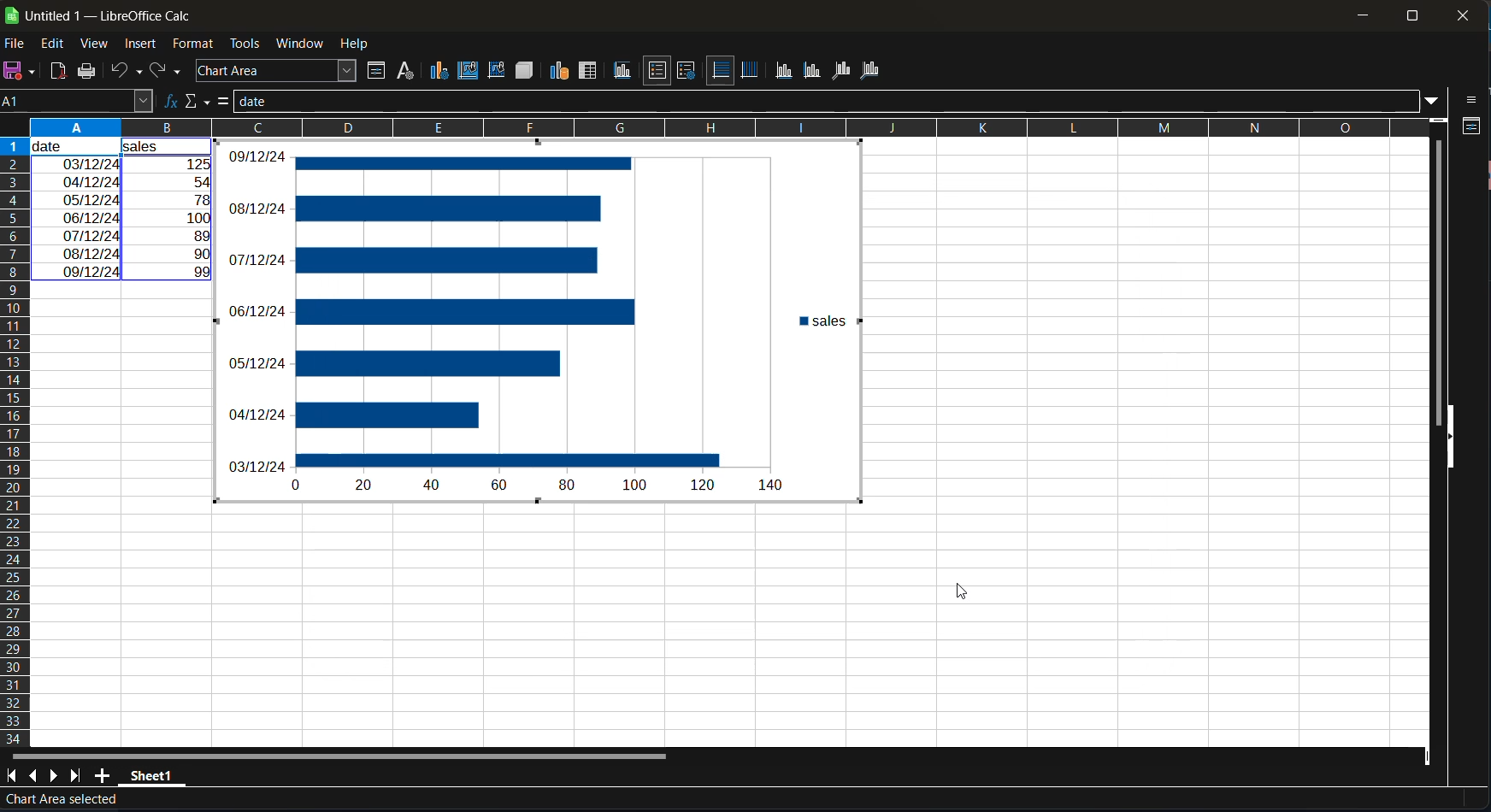 This screenshot has height=812, width=1491. What do you see at coordinates (356, 43) in the screenshot?
I see `help` at bounding box center [356, 43].